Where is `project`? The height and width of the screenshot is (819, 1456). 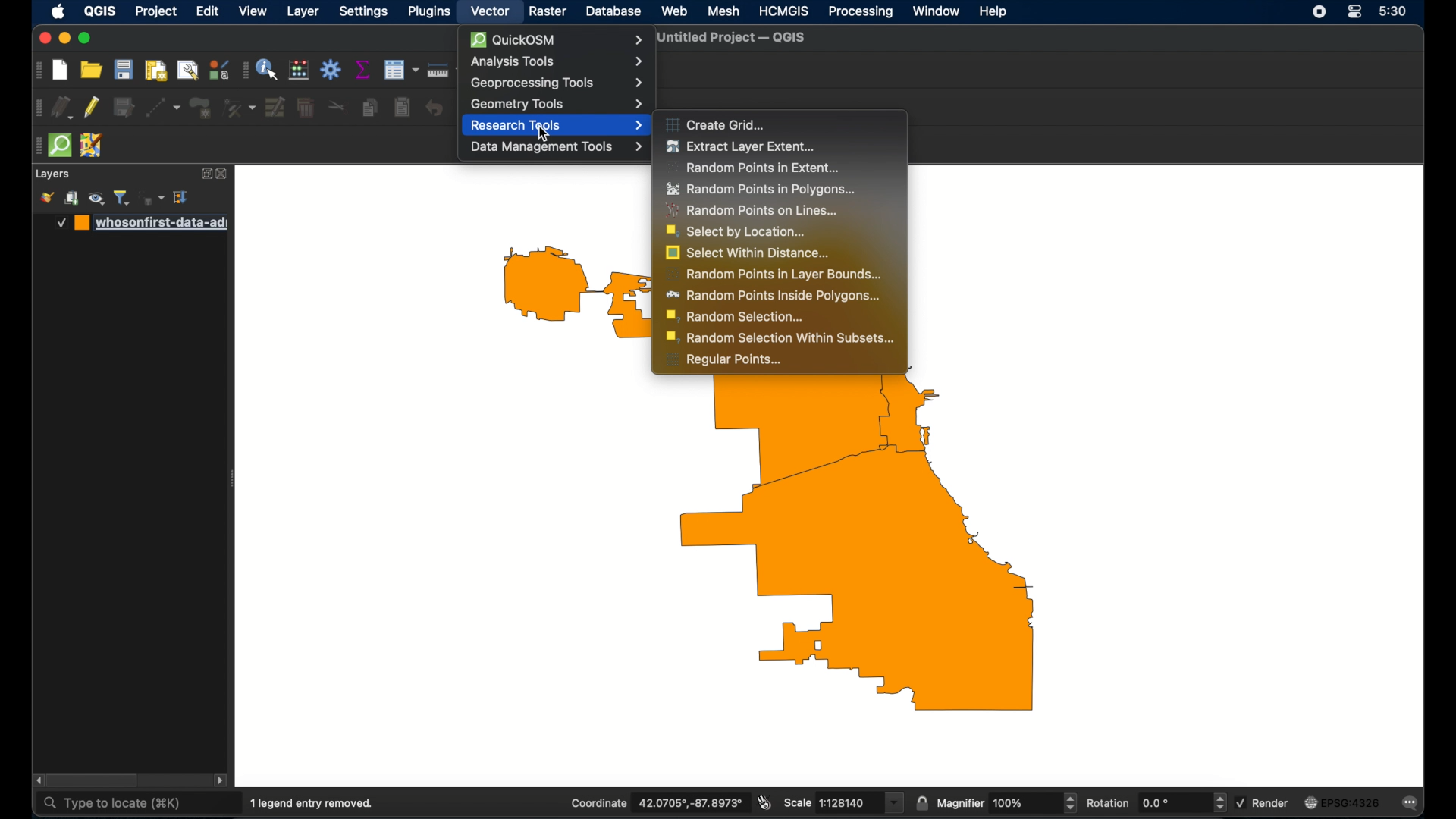 project is located at coordinates (155, 12).